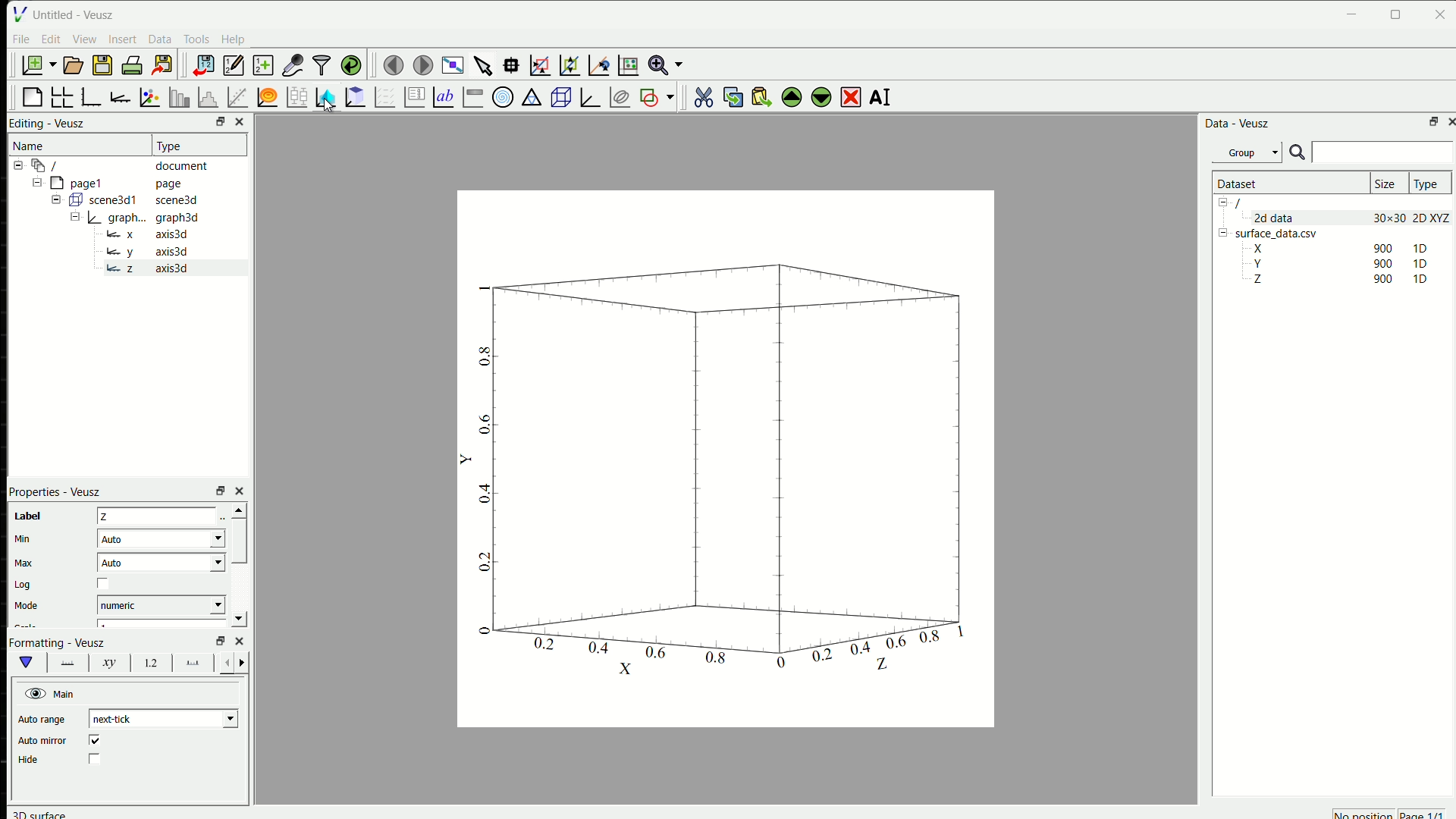 The width and height of the screenshot is (1456, 819). Describe the element at coordinates (238, 96) in the screenshot. I see `fit a function` at that location.